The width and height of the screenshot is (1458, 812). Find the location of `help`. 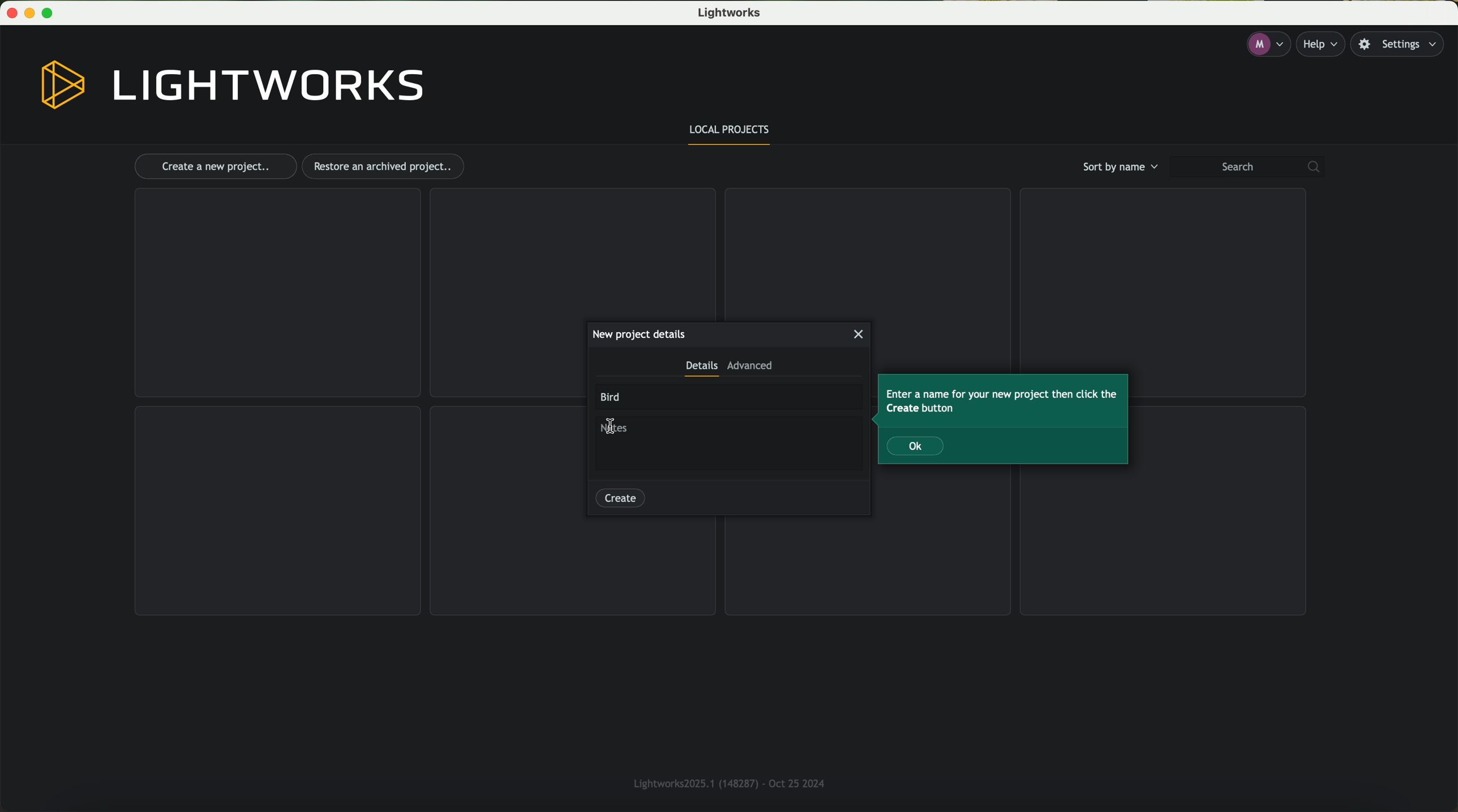

help is located at coordinates (1324, 44).